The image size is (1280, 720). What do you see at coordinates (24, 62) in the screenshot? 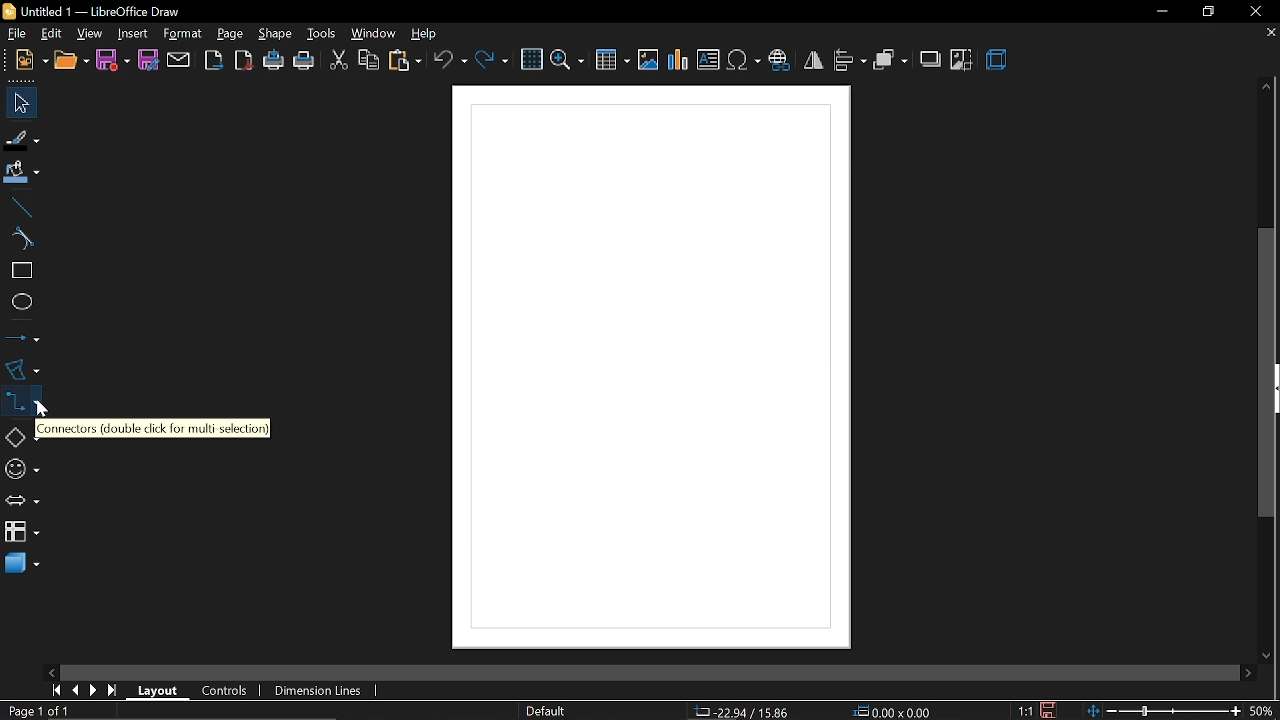
I see `new` at bounding box center [24, 62].